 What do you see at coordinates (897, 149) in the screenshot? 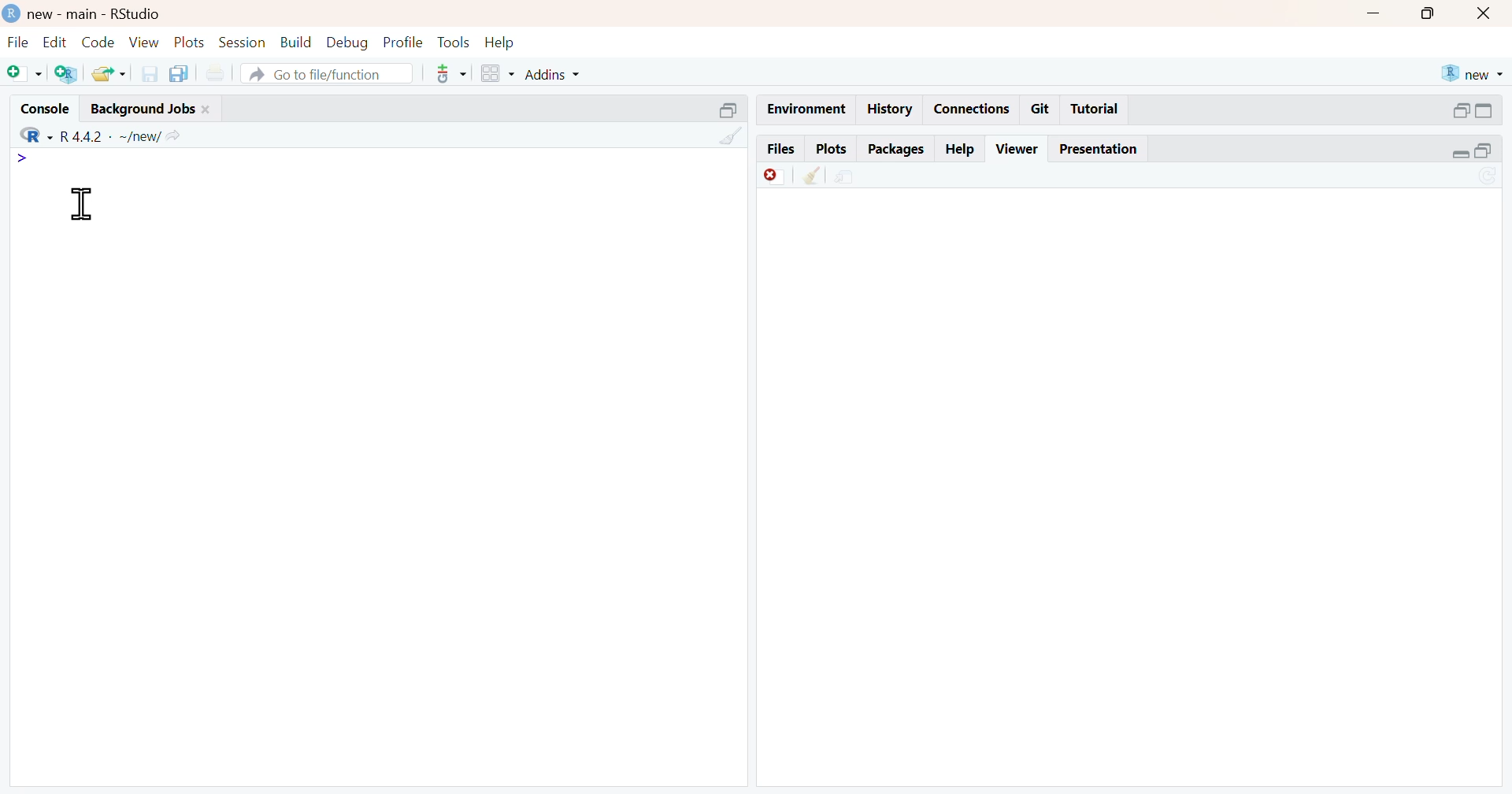
I see `packages` at bounding box center [897, 149].